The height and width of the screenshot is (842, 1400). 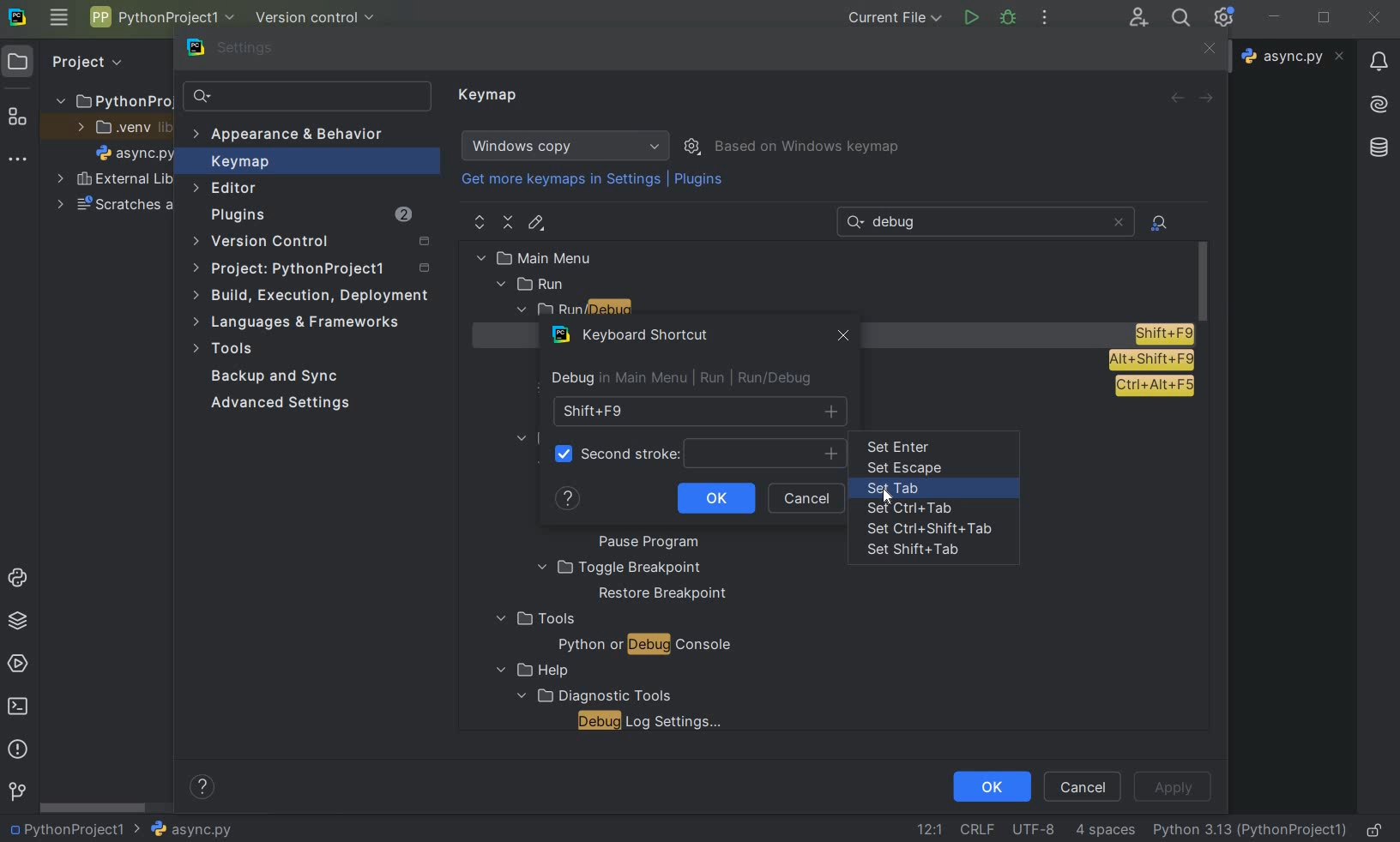 I want to click on windows copy, so click(x=568, y=146).